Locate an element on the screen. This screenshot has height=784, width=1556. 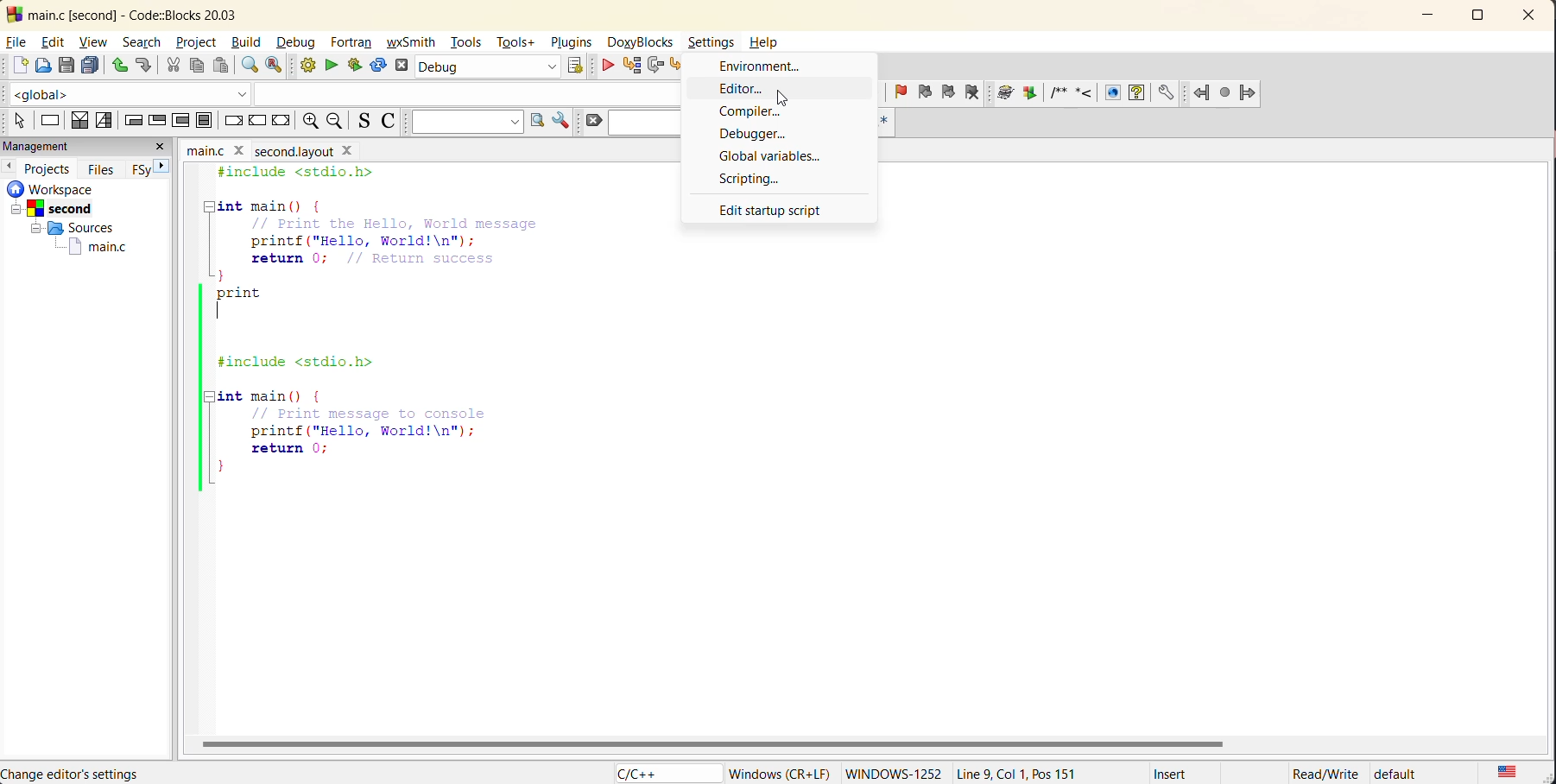
next is located at coordinates (163, 165).